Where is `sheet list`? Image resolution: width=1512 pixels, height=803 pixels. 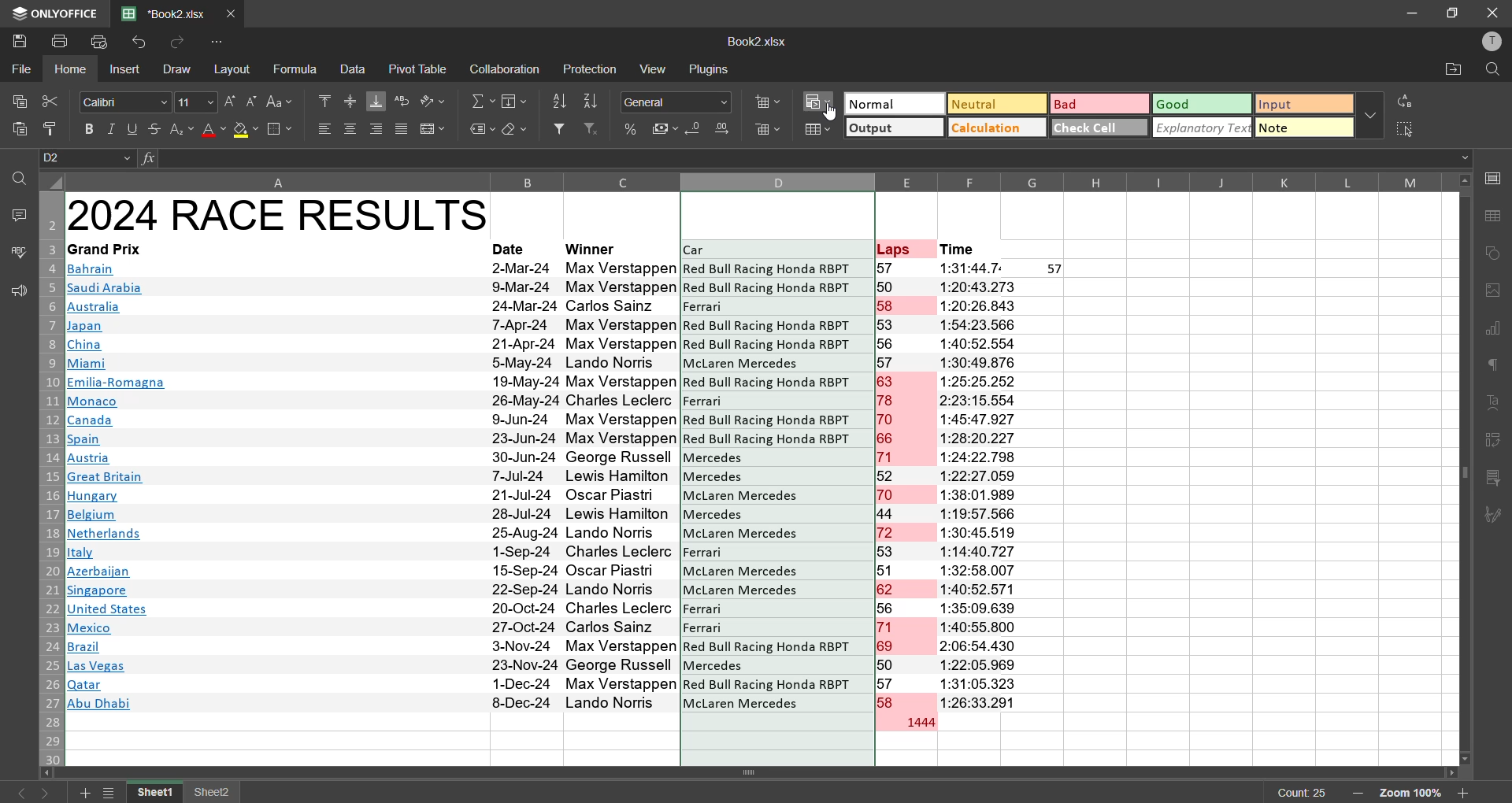 sheet list is located at coordinates (112, 794).